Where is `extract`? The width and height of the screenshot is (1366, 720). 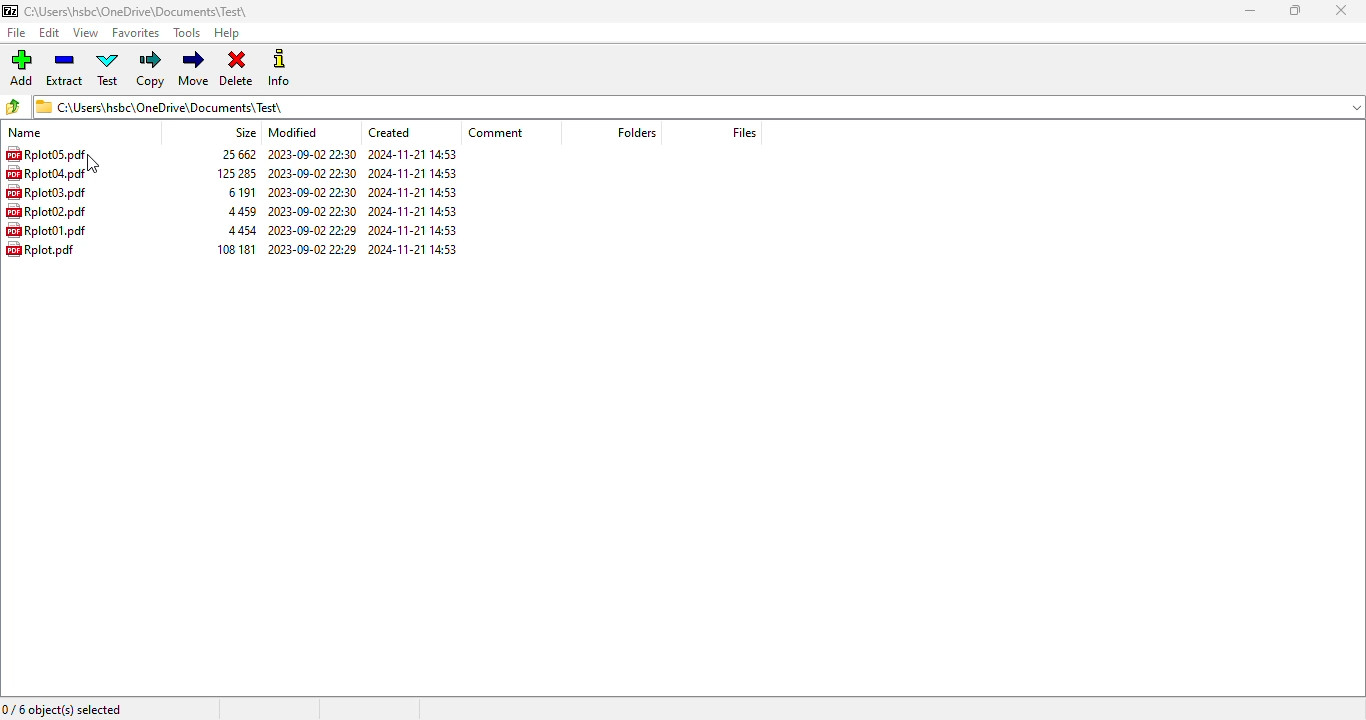
extract is located at coordinates (66, 68).